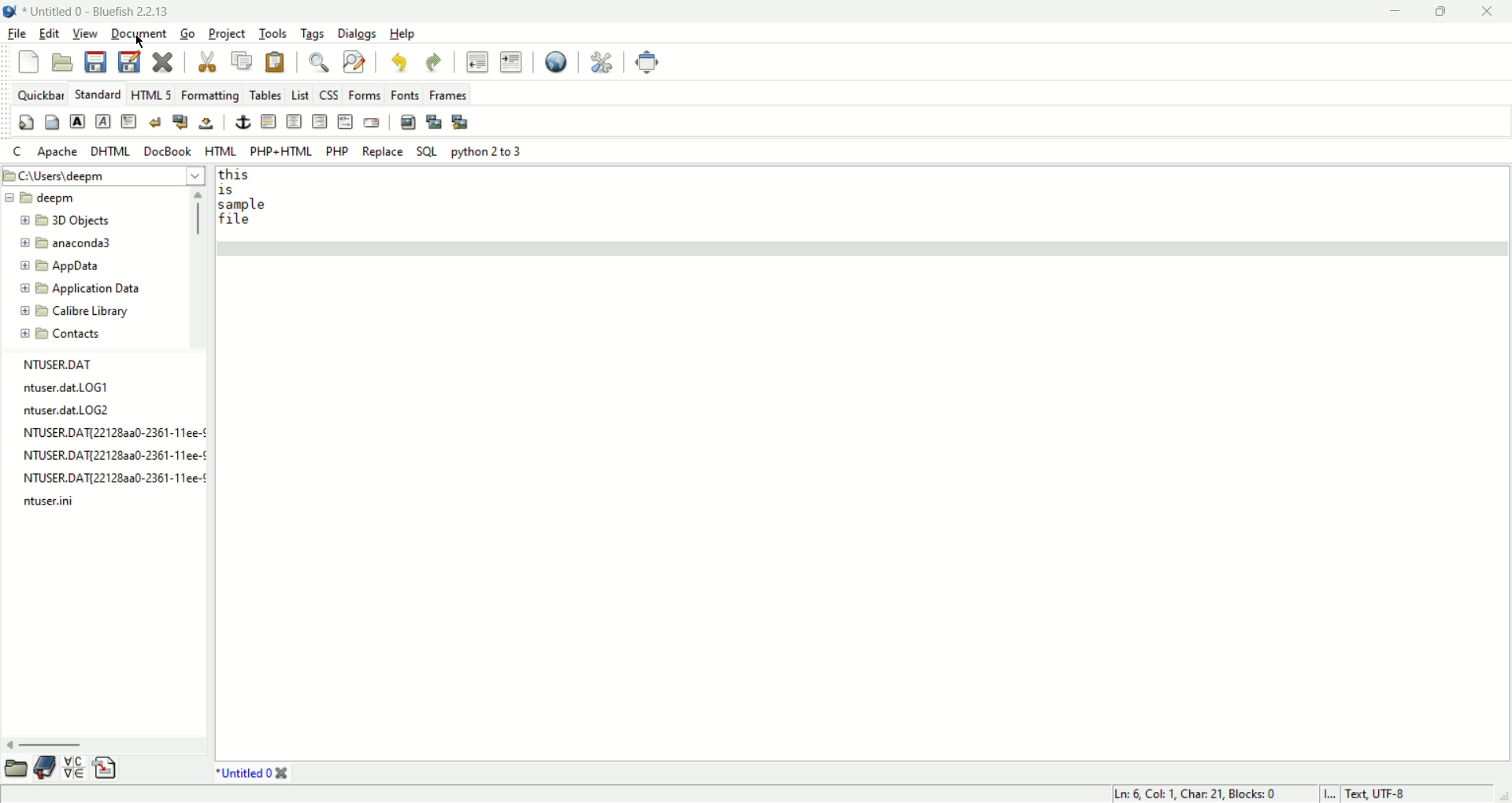 Image resolution: width=1512 pixels, height=803 pixels. What do you see at coordinates (1331, 793) in the screenshot?
I see `I` at bounding box center [1331, 793].